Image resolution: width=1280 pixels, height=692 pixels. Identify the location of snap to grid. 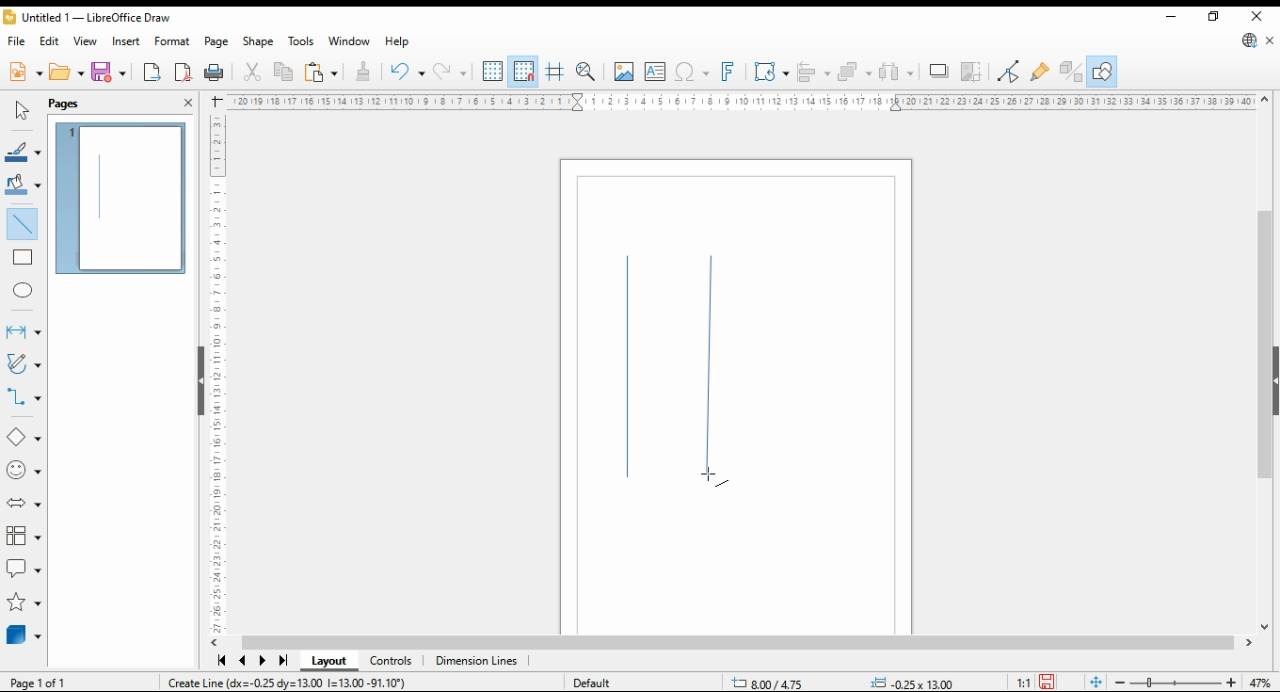
(523, 71).